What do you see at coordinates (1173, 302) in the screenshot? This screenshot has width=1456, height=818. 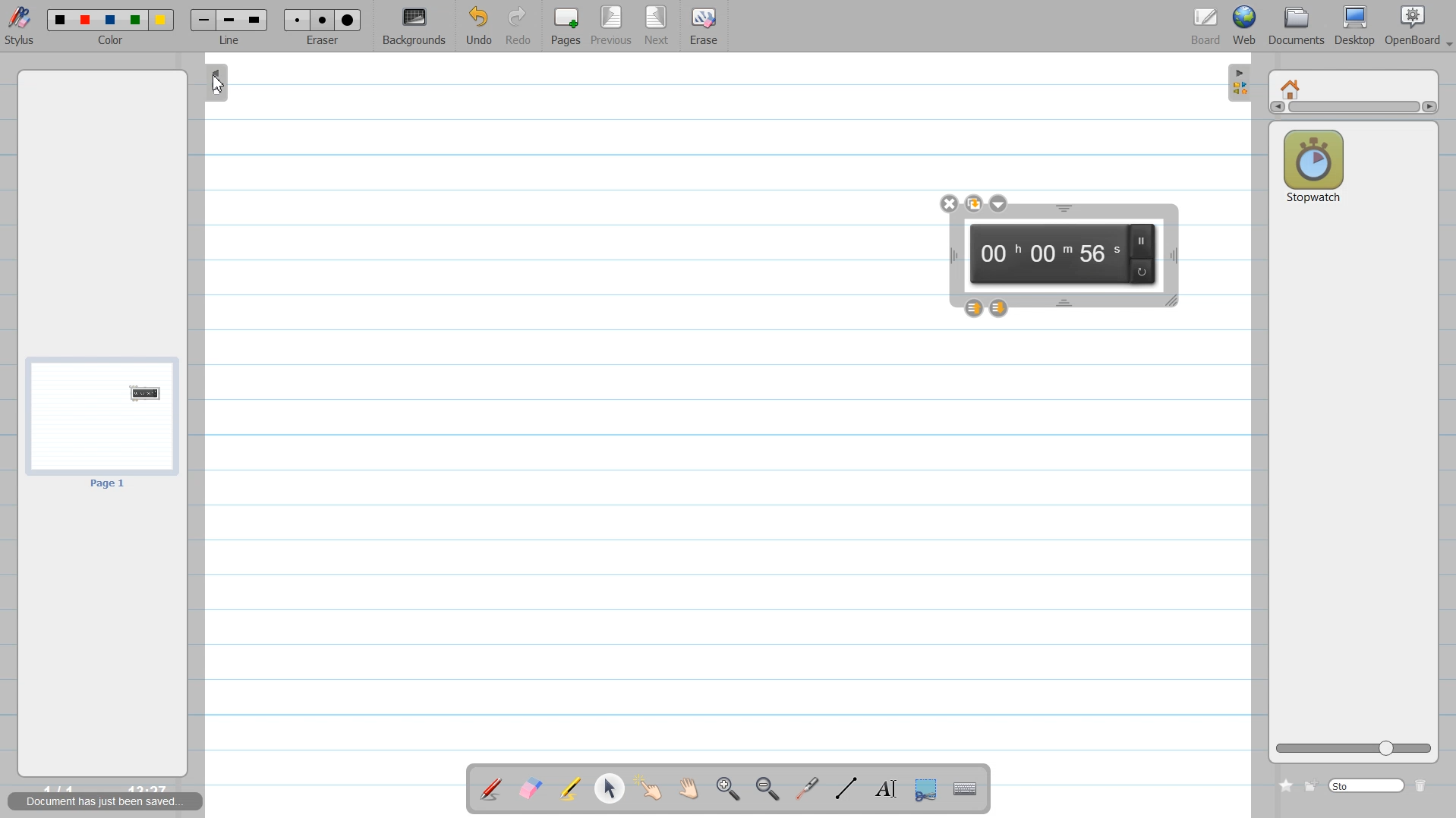 I see `Time window Size adjustment` at bounding box center [1173, 302].